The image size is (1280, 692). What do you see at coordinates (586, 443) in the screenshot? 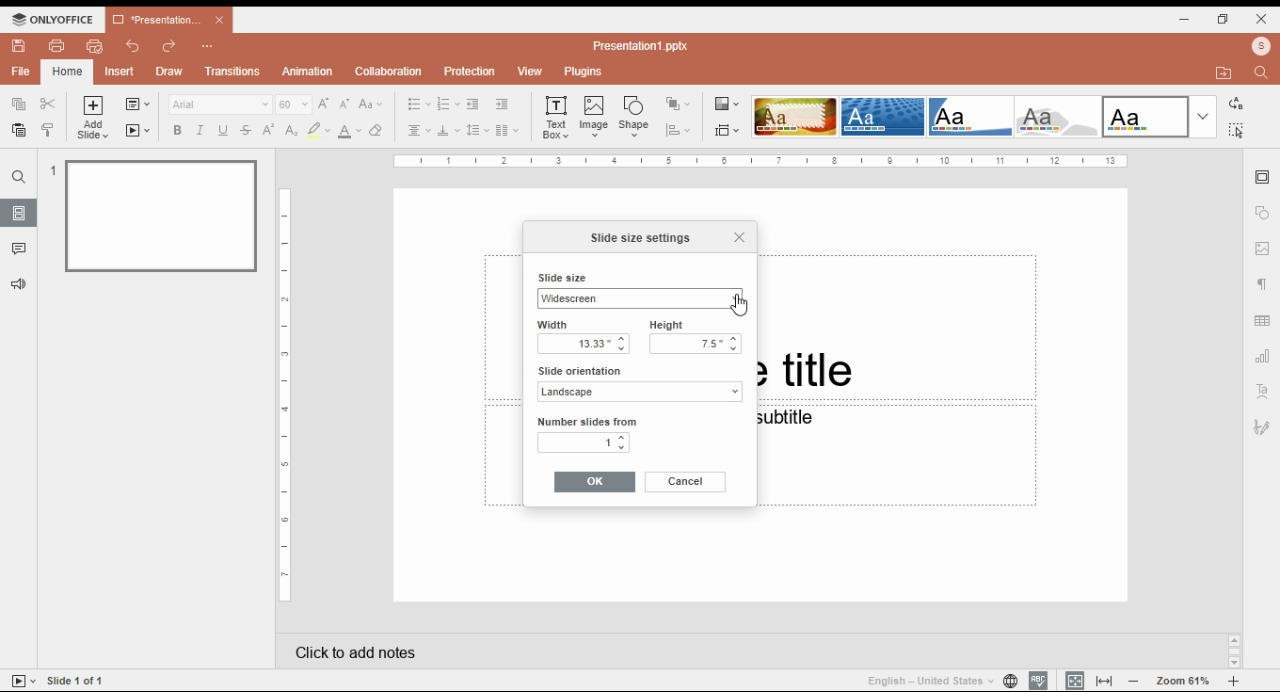
I see `1` at bounding box center [586, 443].